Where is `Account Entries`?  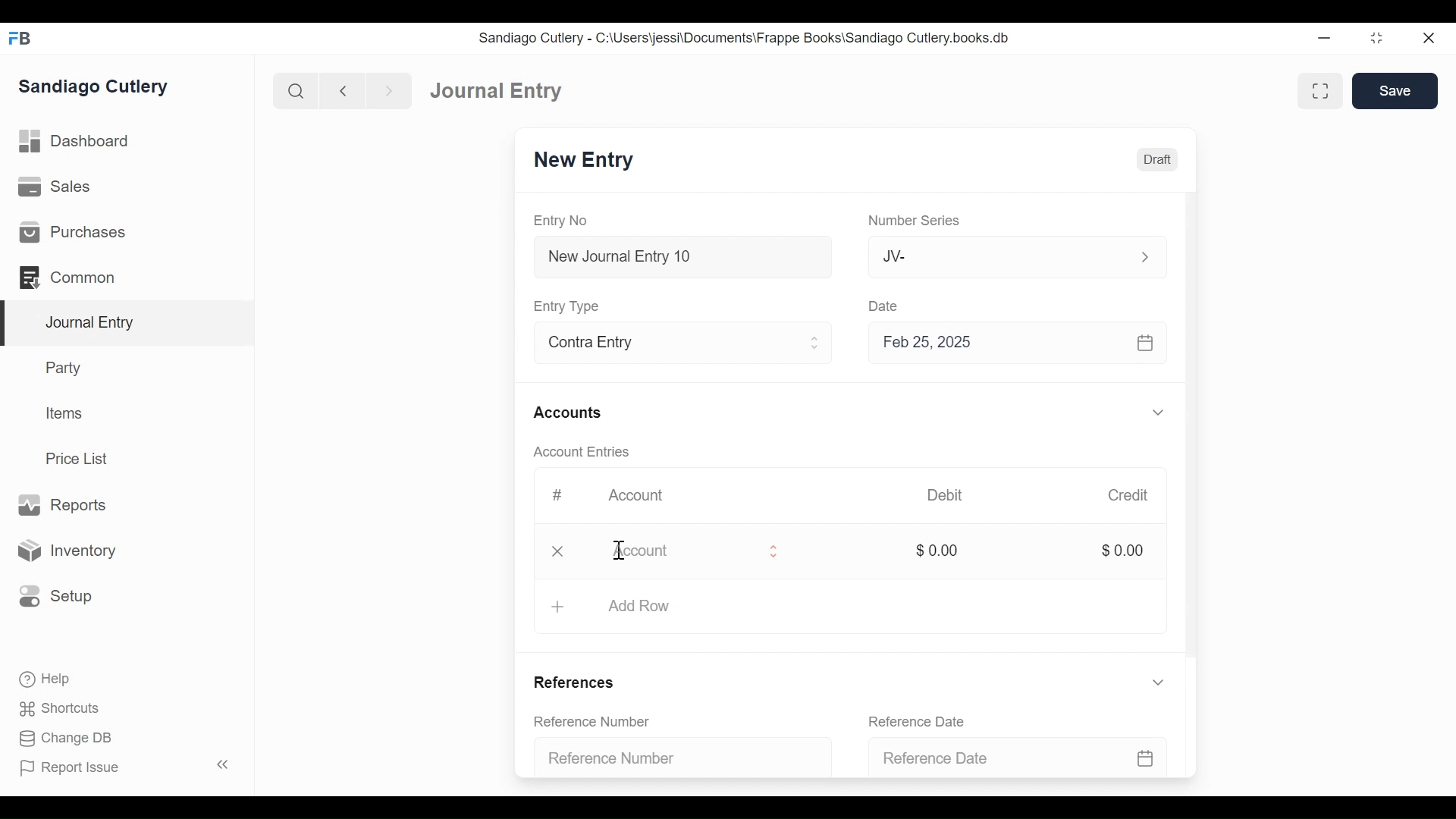
Account Entries is located at coordinates (588, 452).